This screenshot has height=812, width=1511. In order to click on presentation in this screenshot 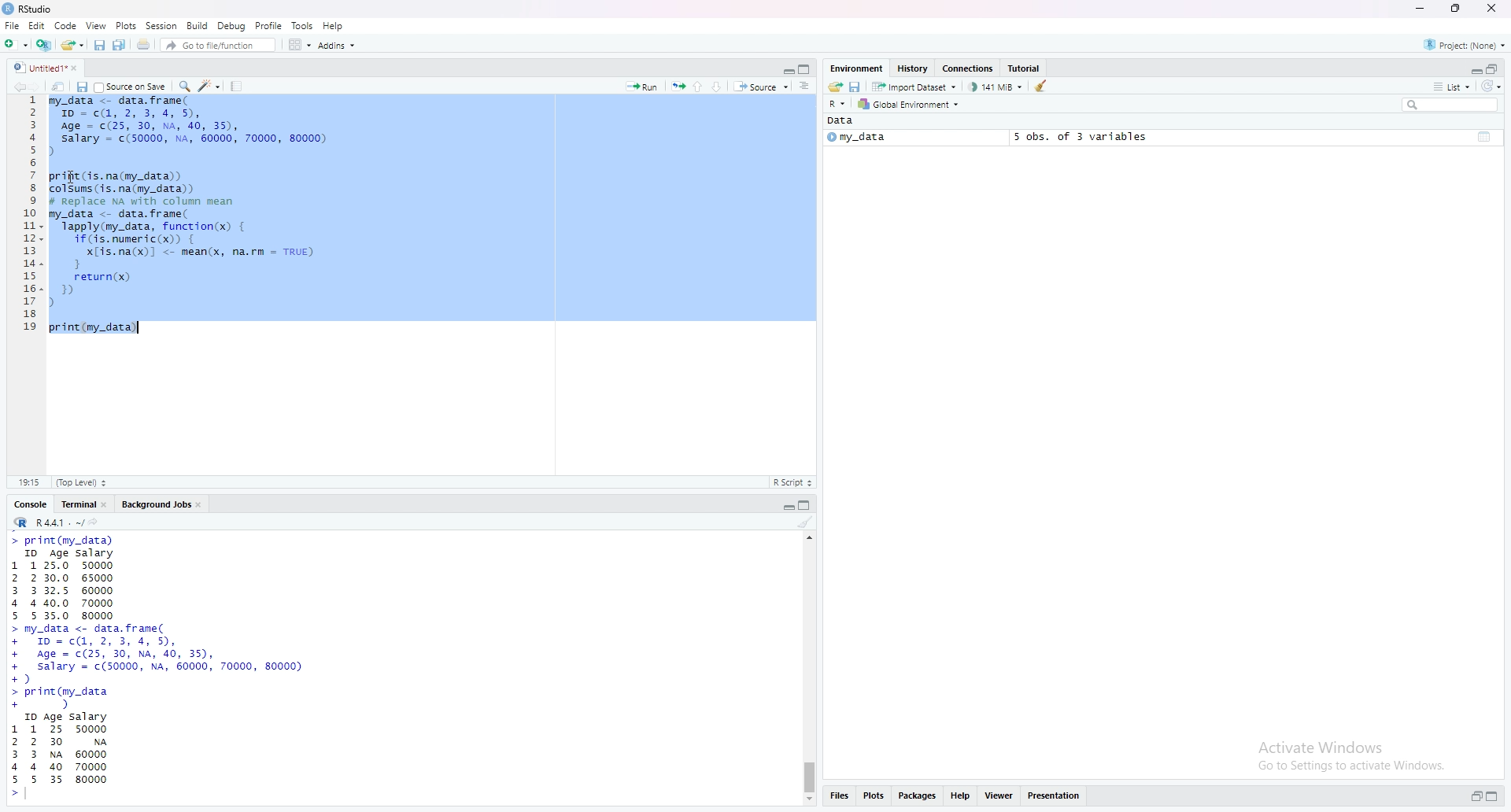, I will do `click(1059, 795)`.